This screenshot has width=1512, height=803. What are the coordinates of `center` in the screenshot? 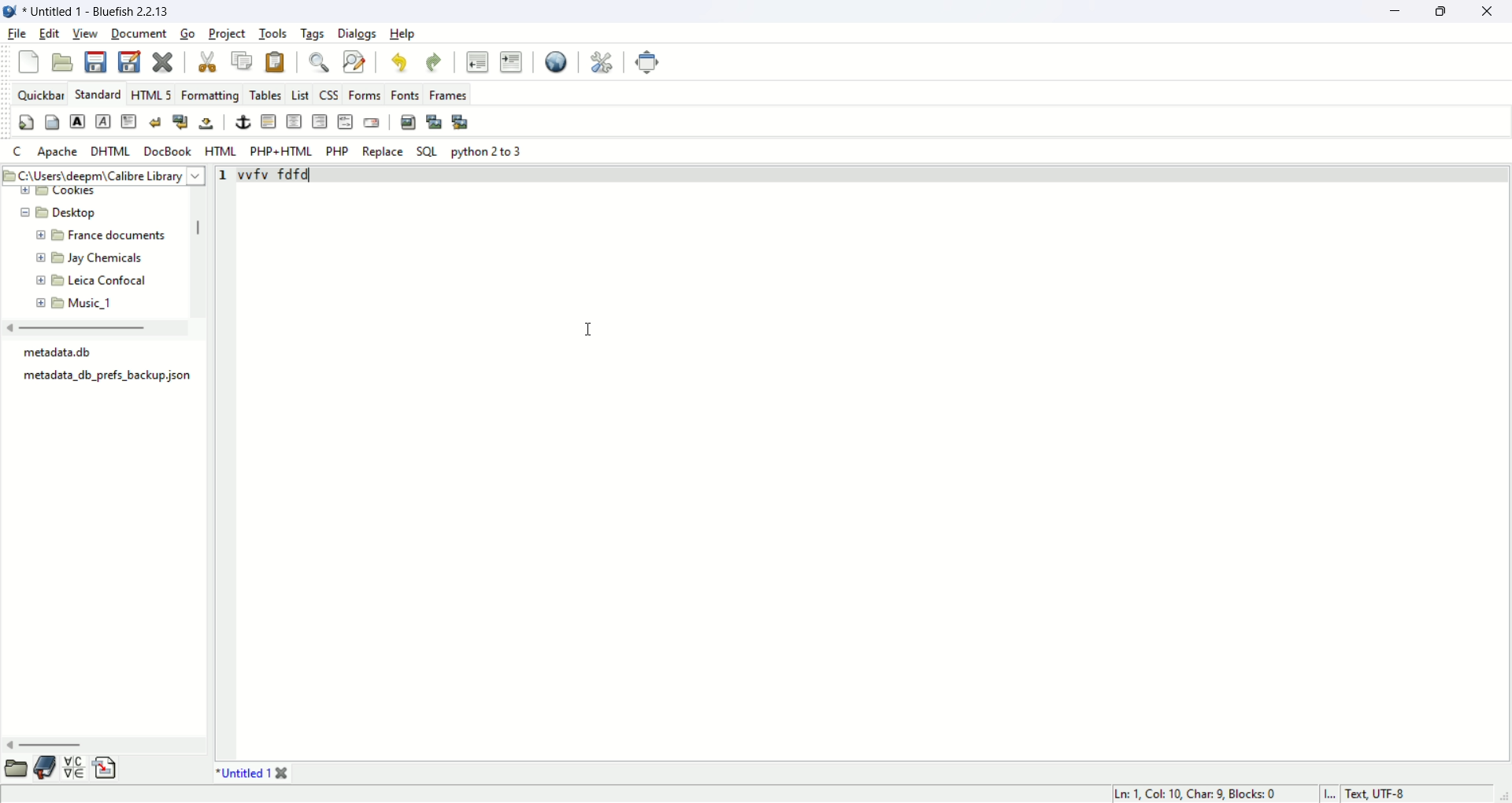 It's located at (294, 121).